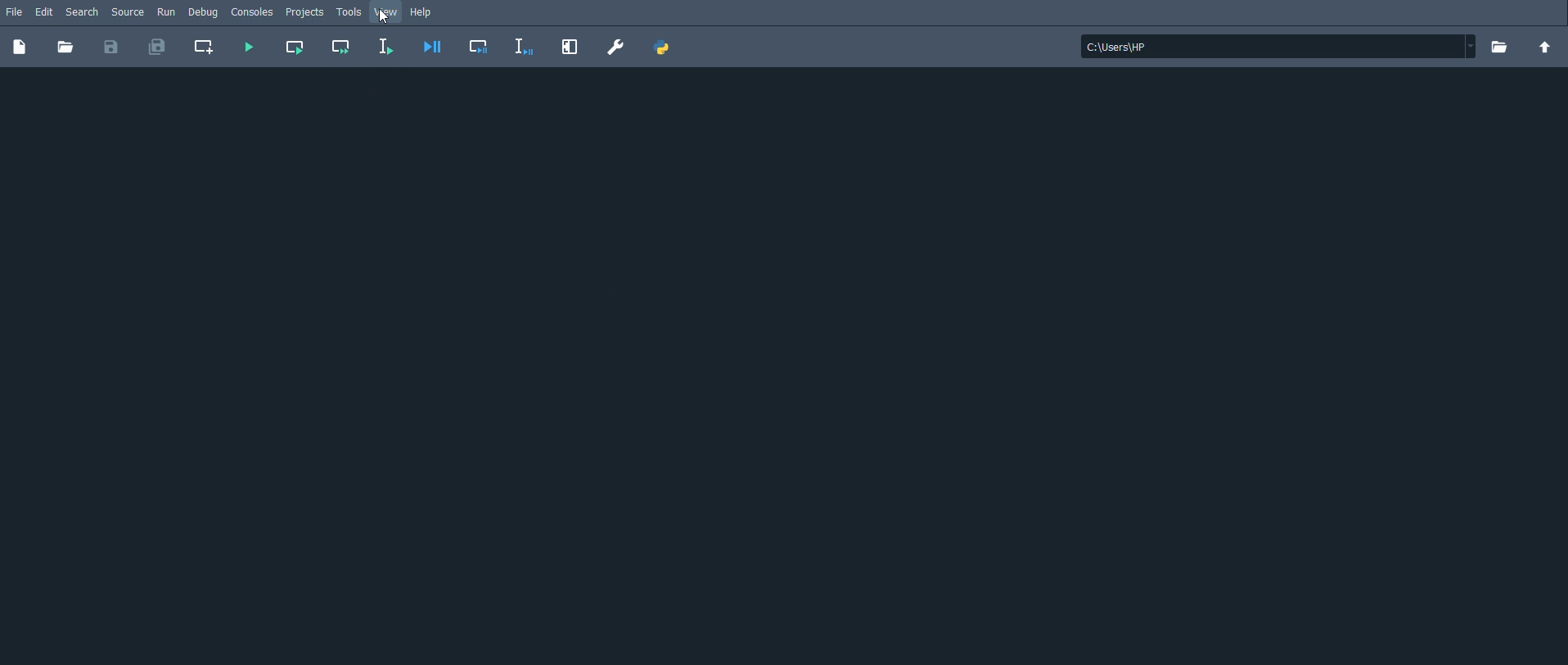 The image size is (1568, 665). What do you see at coordinates (433, 47) in the screenshot?
I see `Debug file` at bounding box center [433, 47].